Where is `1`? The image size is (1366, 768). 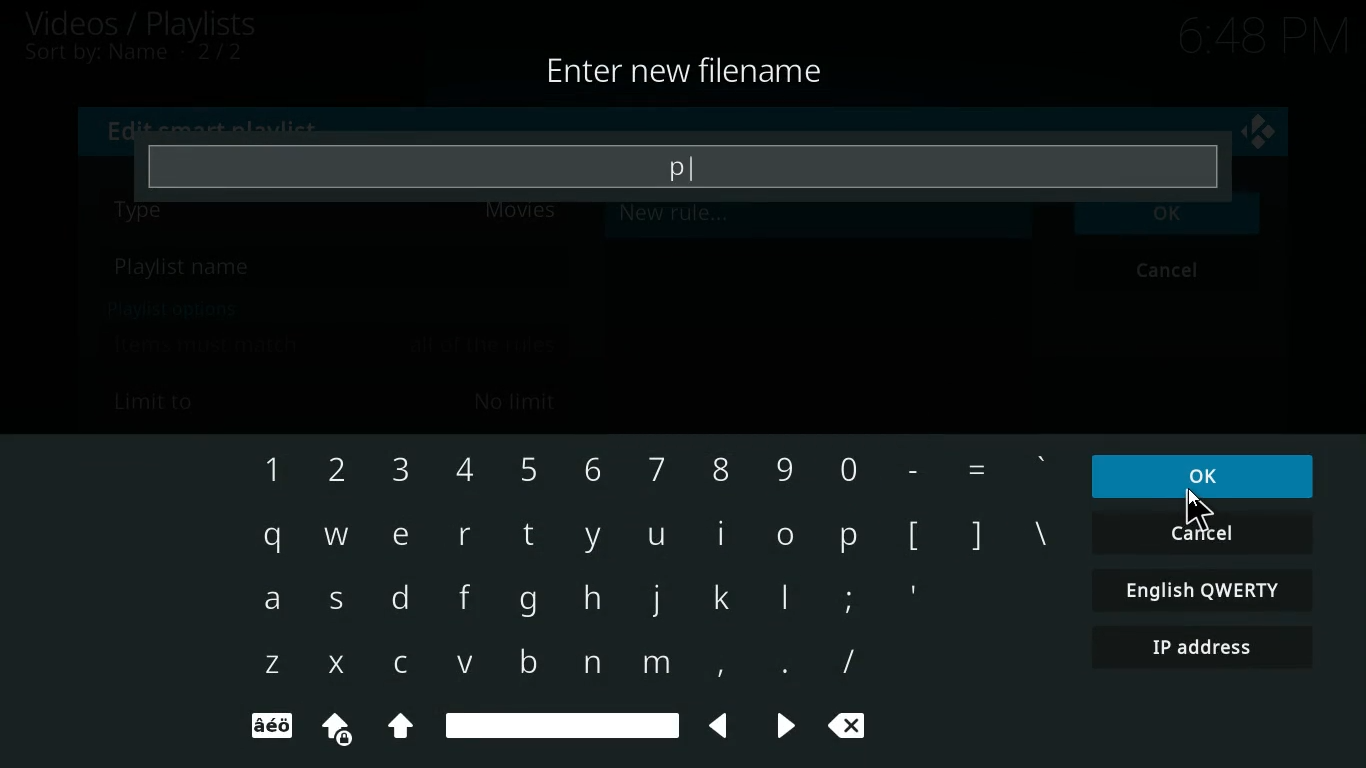
1 is located at coordinates (267, 470).